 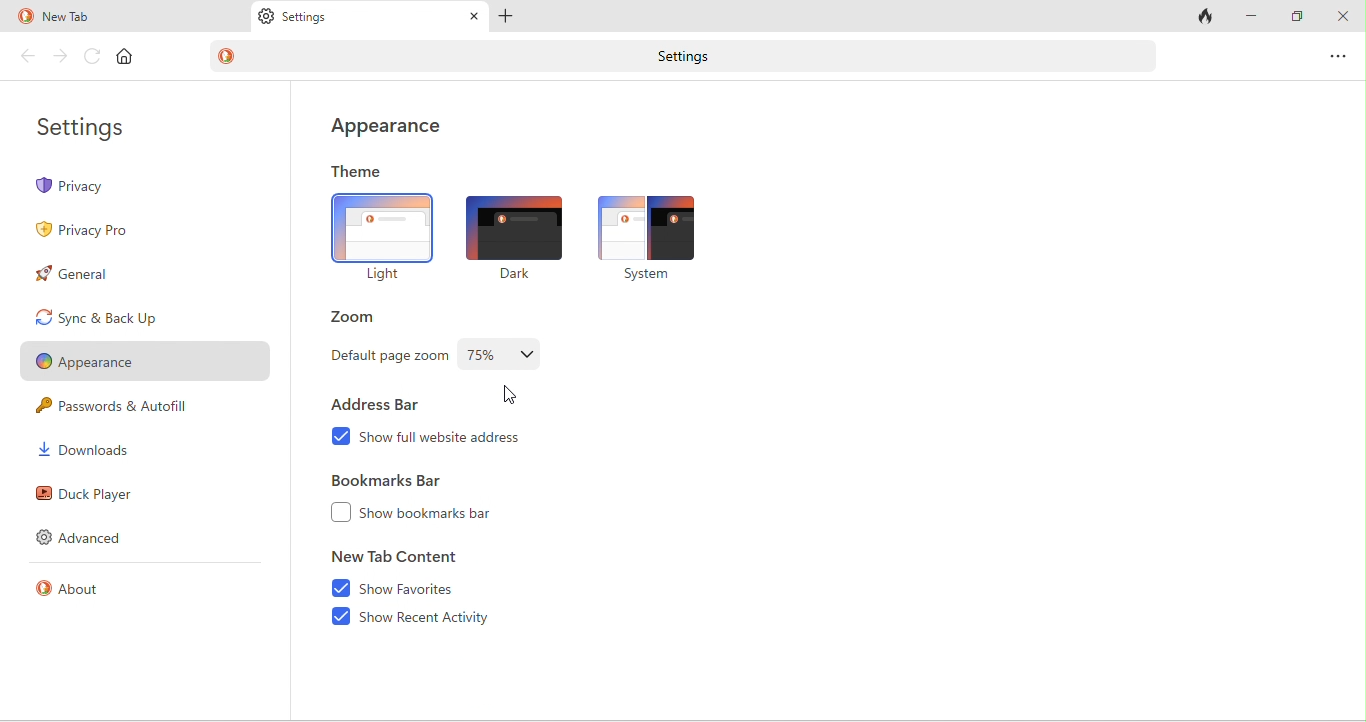 What do you see at coordinates (516, 234) in the screenshot?
I see `dark` at bounding box center [516, 234].